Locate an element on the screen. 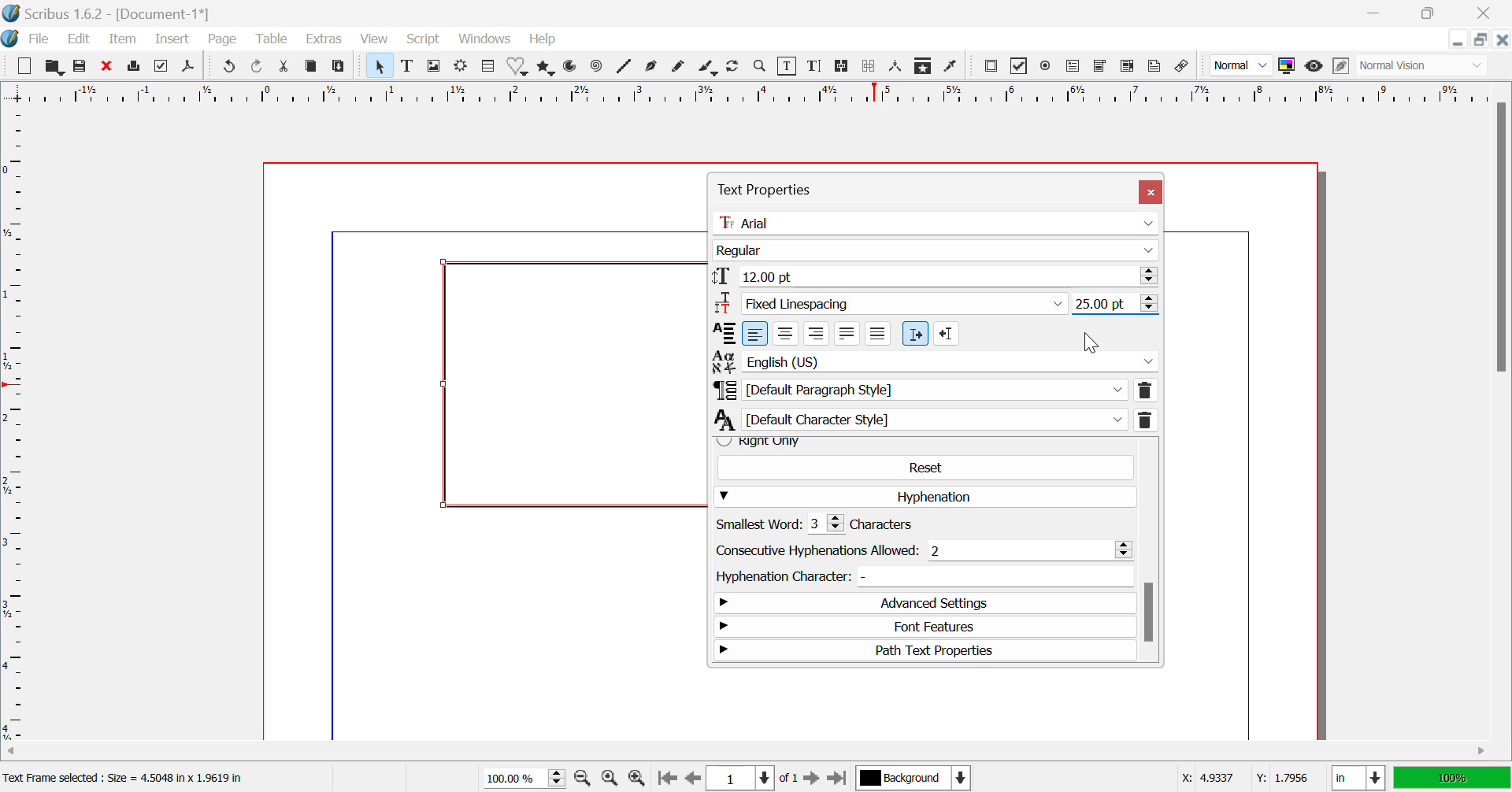 Image resolution: width=1512 pixels, height=792 pixels. Redo is located at coordinates (257, 68).